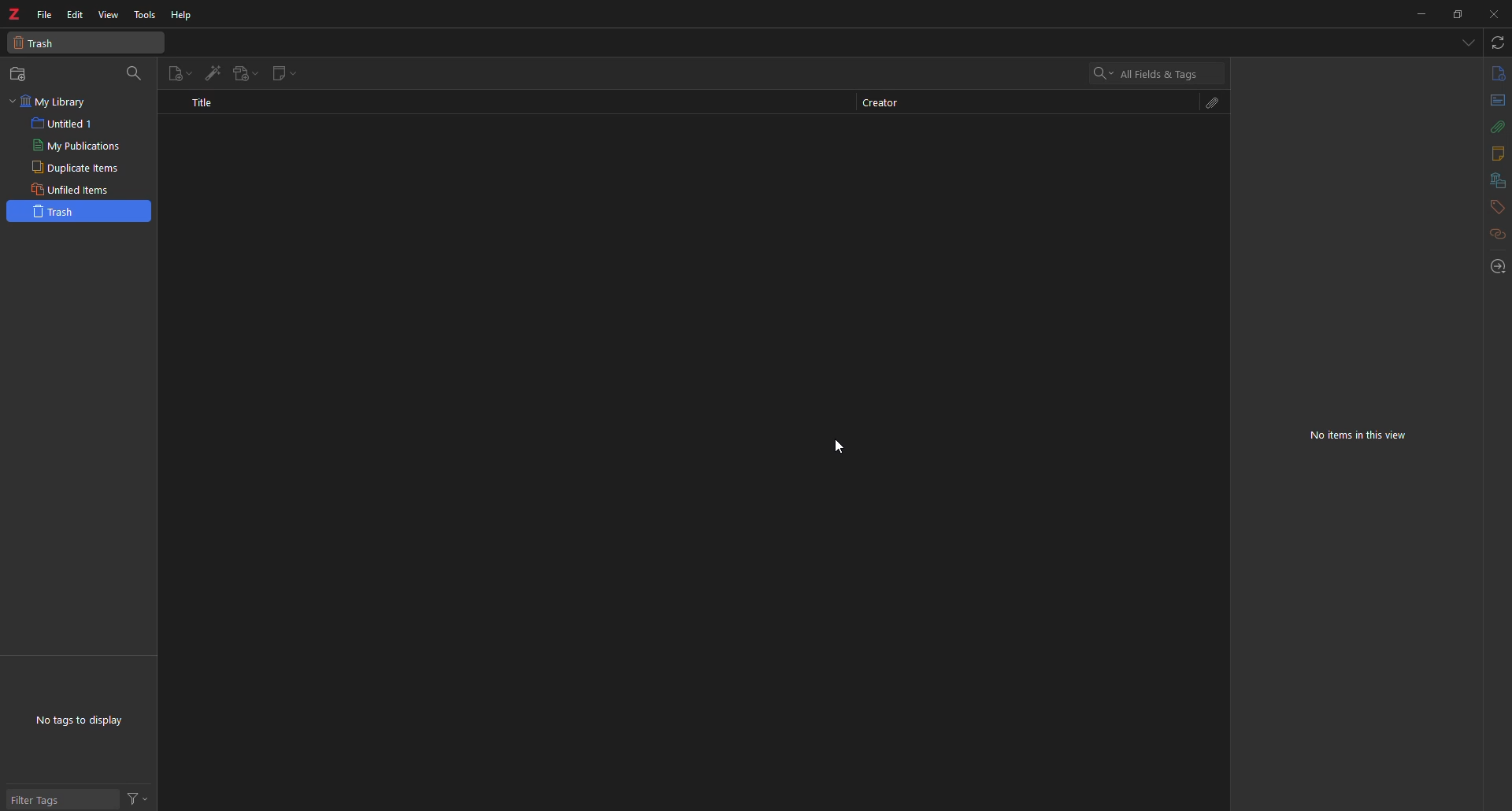  Describe the element at coordinates (1496, 43) in the screenshot. I see `sync` at that location.